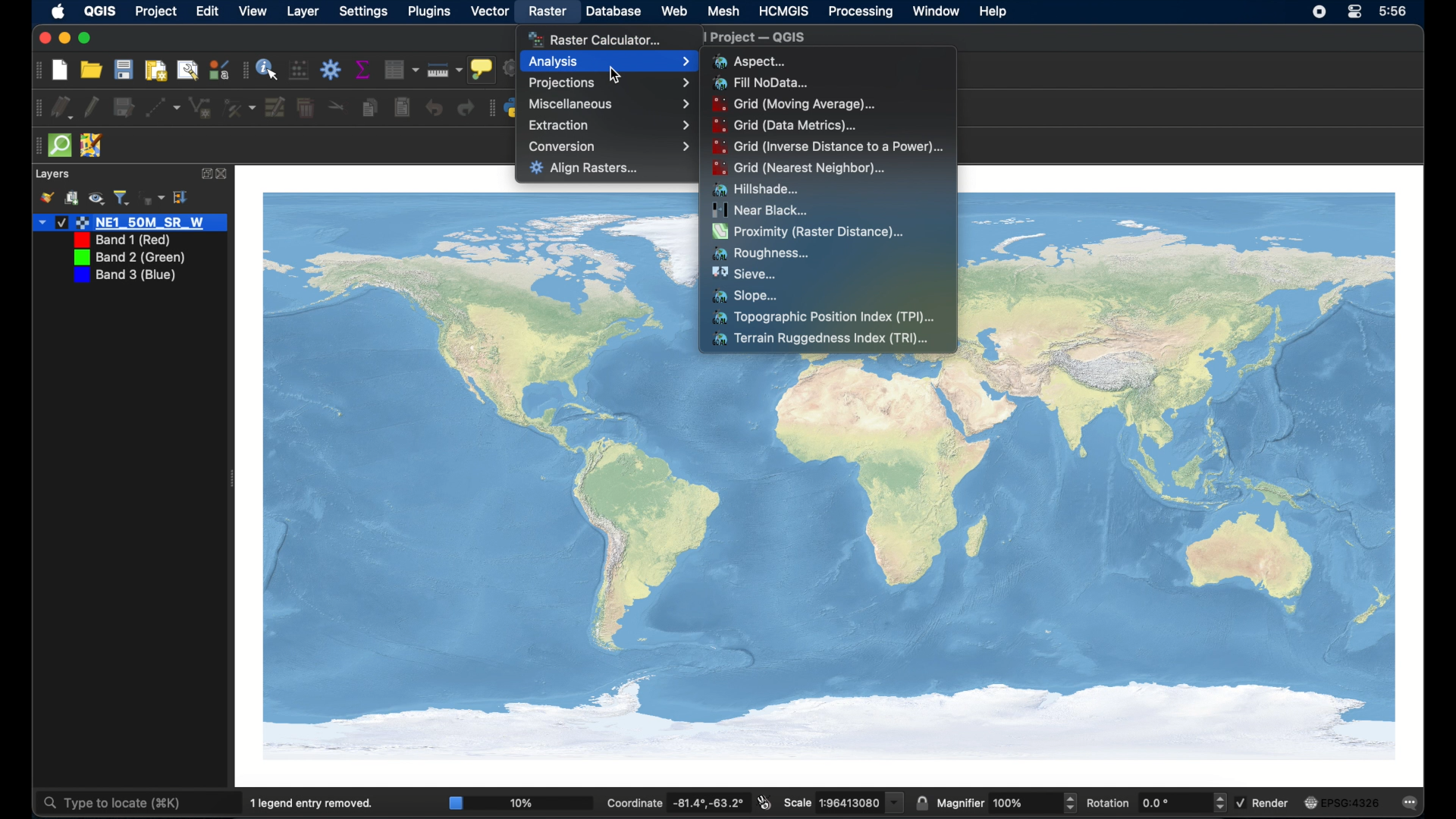 The image size is (1456, 819). Describe the element at coordinates (402, 69) in the screenshot. I see `` at that location.